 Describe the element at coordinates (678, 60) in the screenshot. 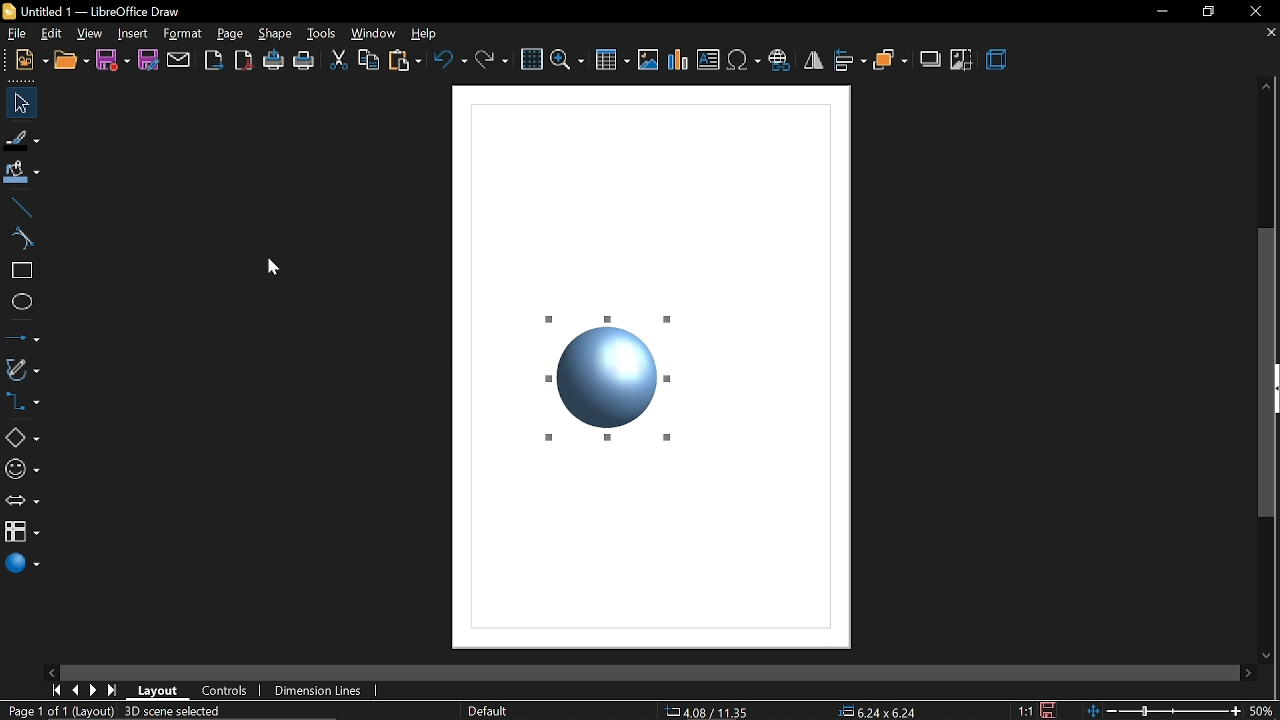

I see `insert chart` at that location.